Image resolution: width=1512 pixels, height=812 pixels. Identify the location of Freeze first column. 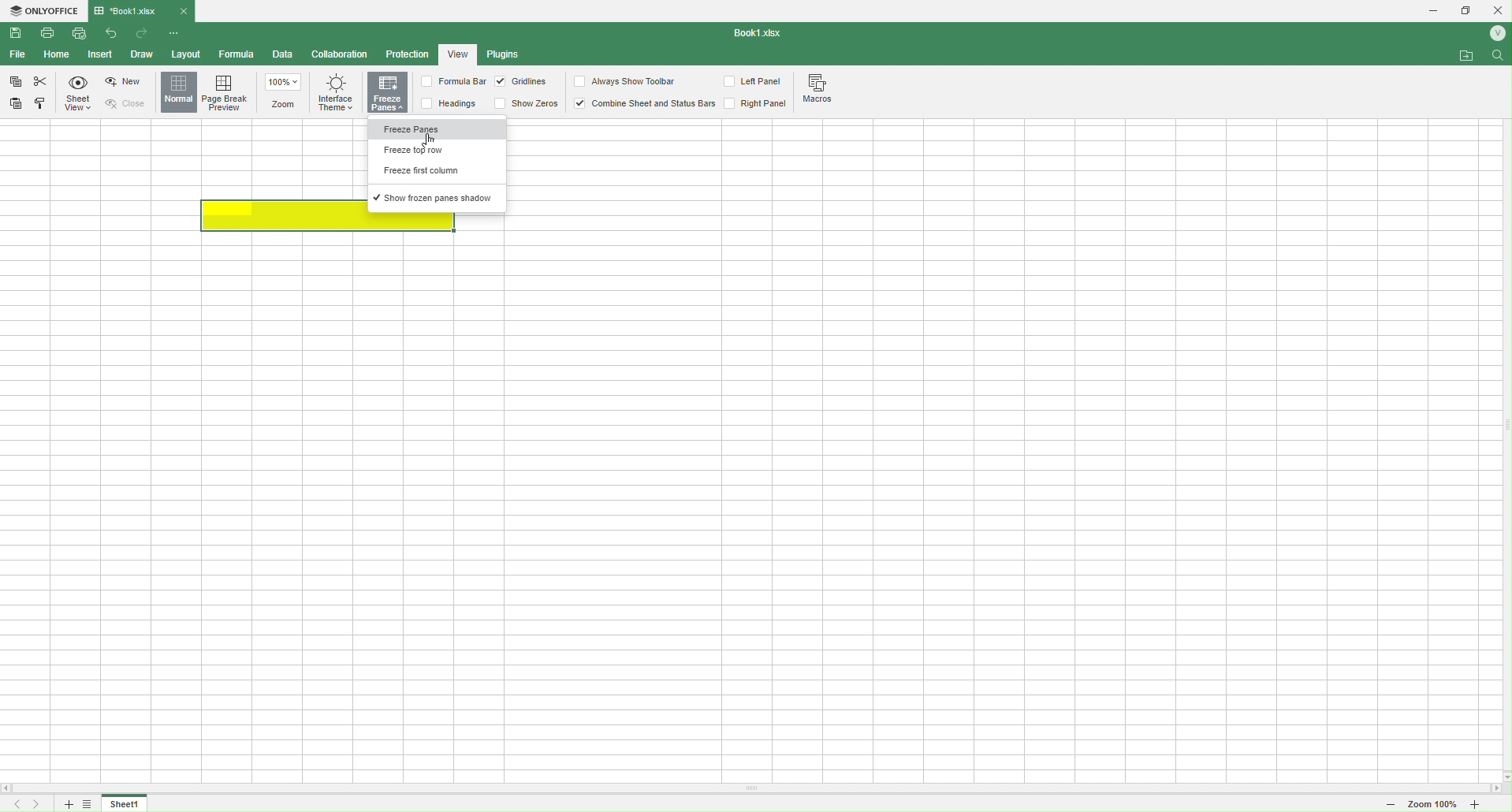
(438, 173).